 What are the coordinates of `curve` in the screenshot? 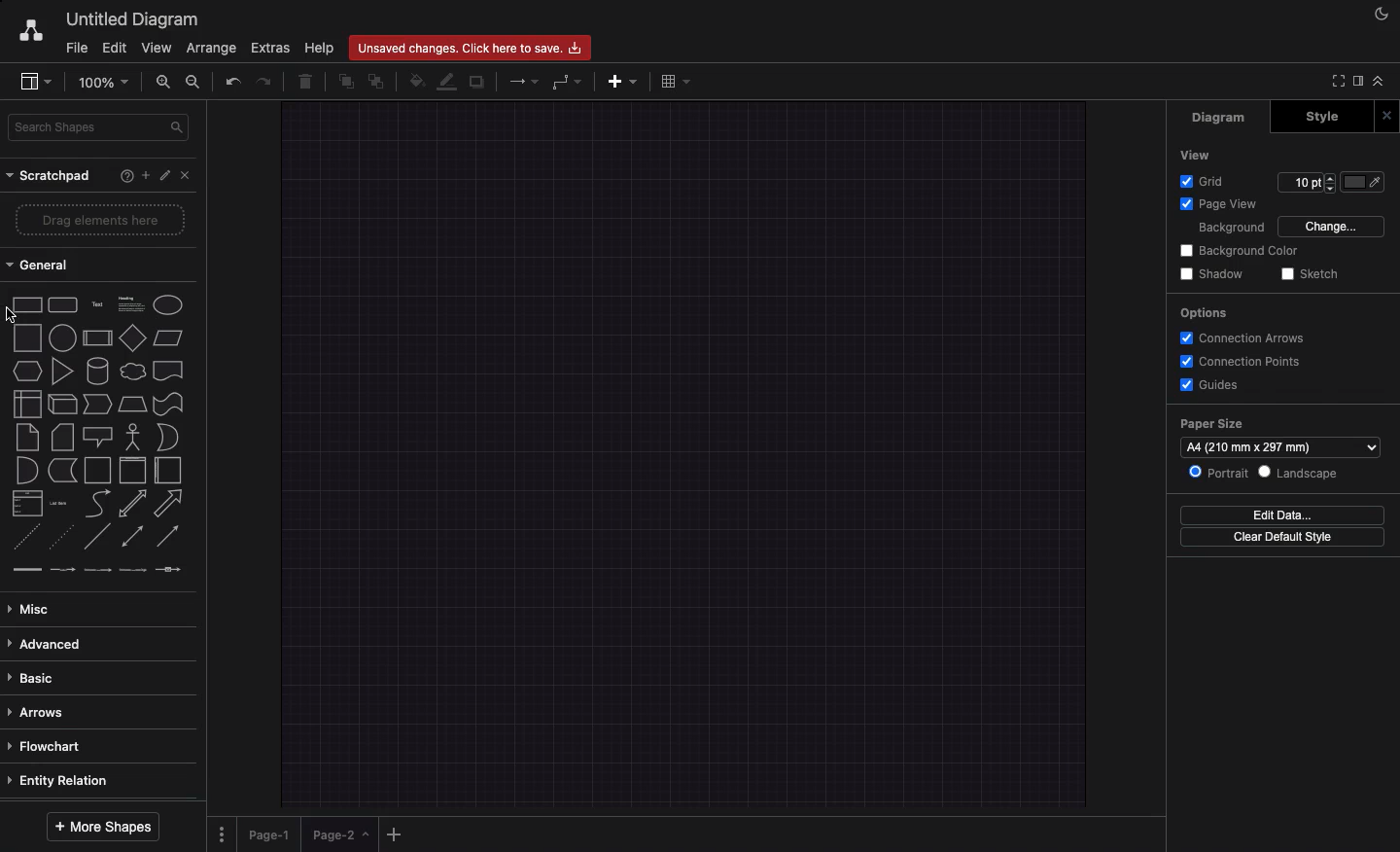 It's located at (97, 503).